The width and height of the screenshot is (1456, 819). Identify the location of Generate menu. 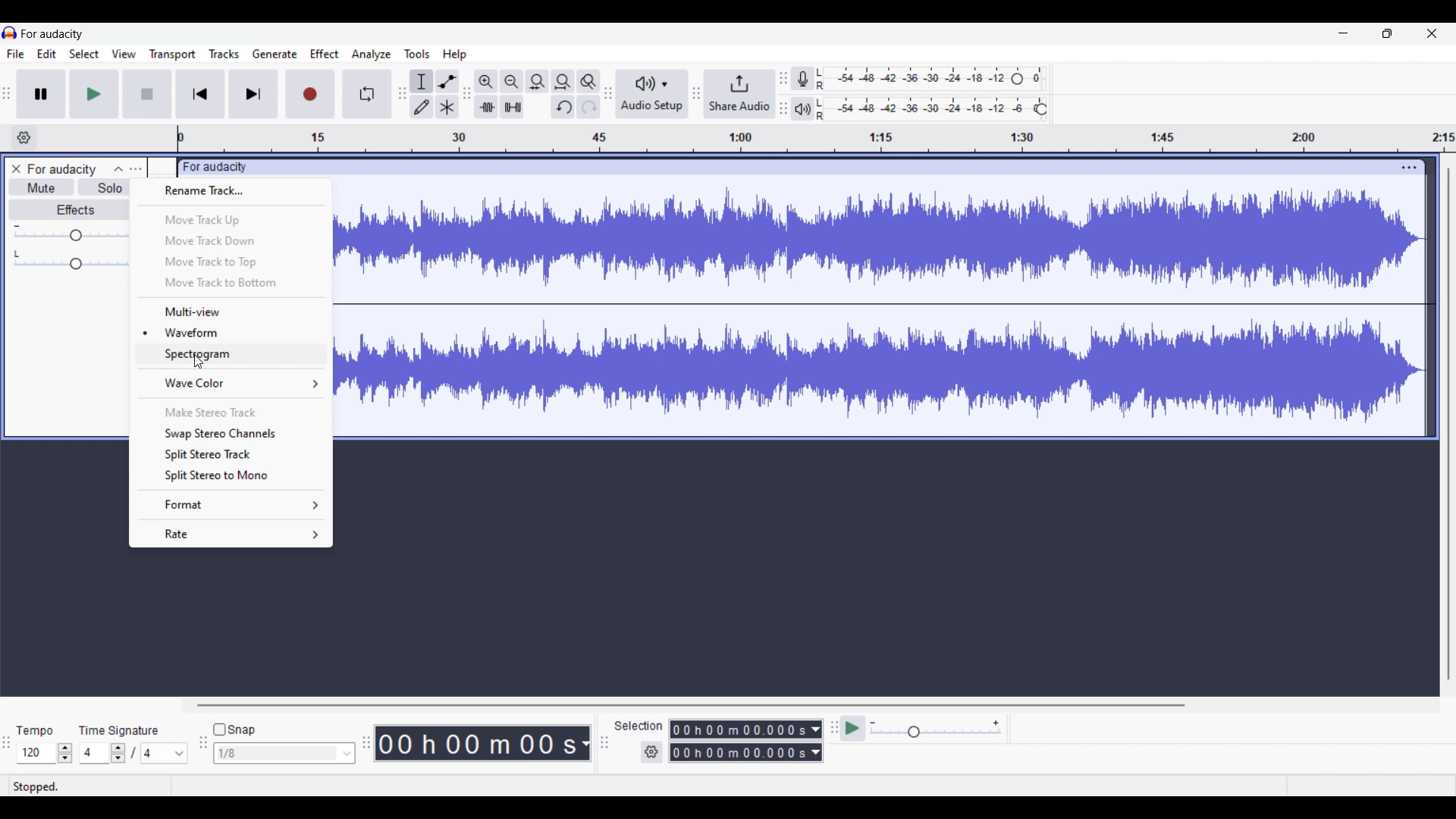
(275, 54).